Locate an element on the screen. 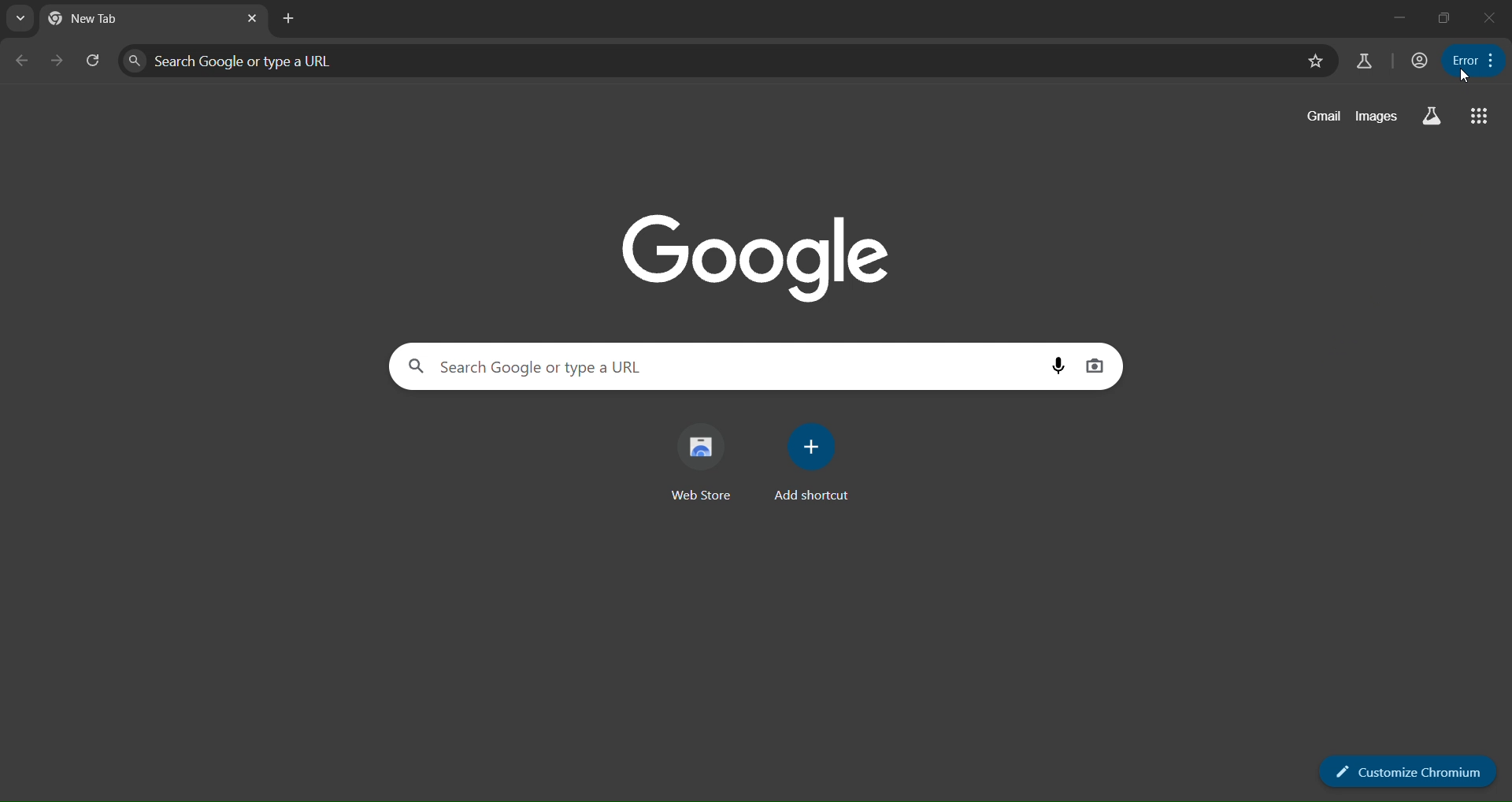 This screenshot has height=802, width=1512. reload page is located at coordinates (89, 59).